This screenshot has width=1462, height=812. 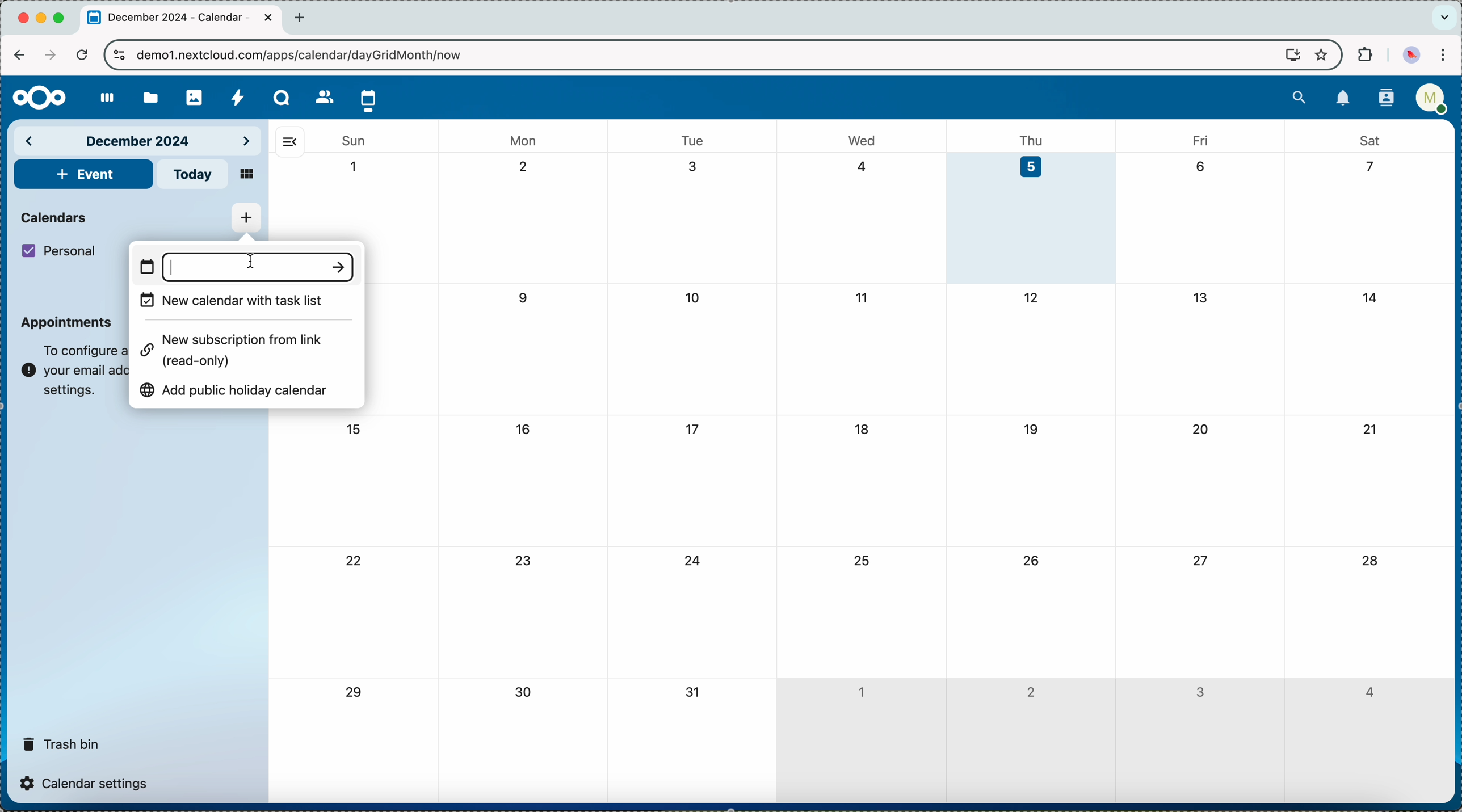 I want to click on 4, so click(x=863, y=166).